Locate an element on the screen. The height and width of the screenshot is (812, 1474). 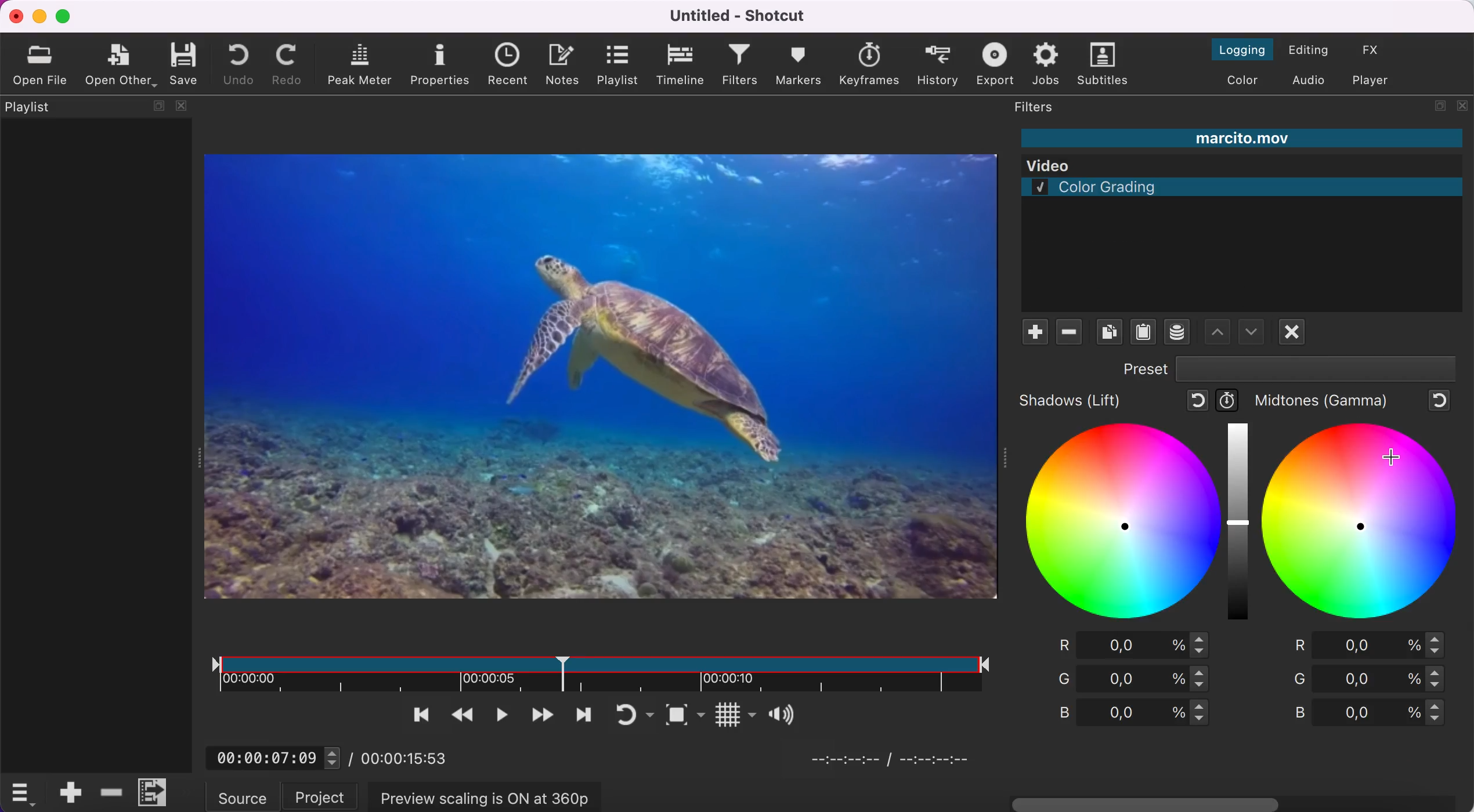
delete ripple is located at coordinates (110, 793).